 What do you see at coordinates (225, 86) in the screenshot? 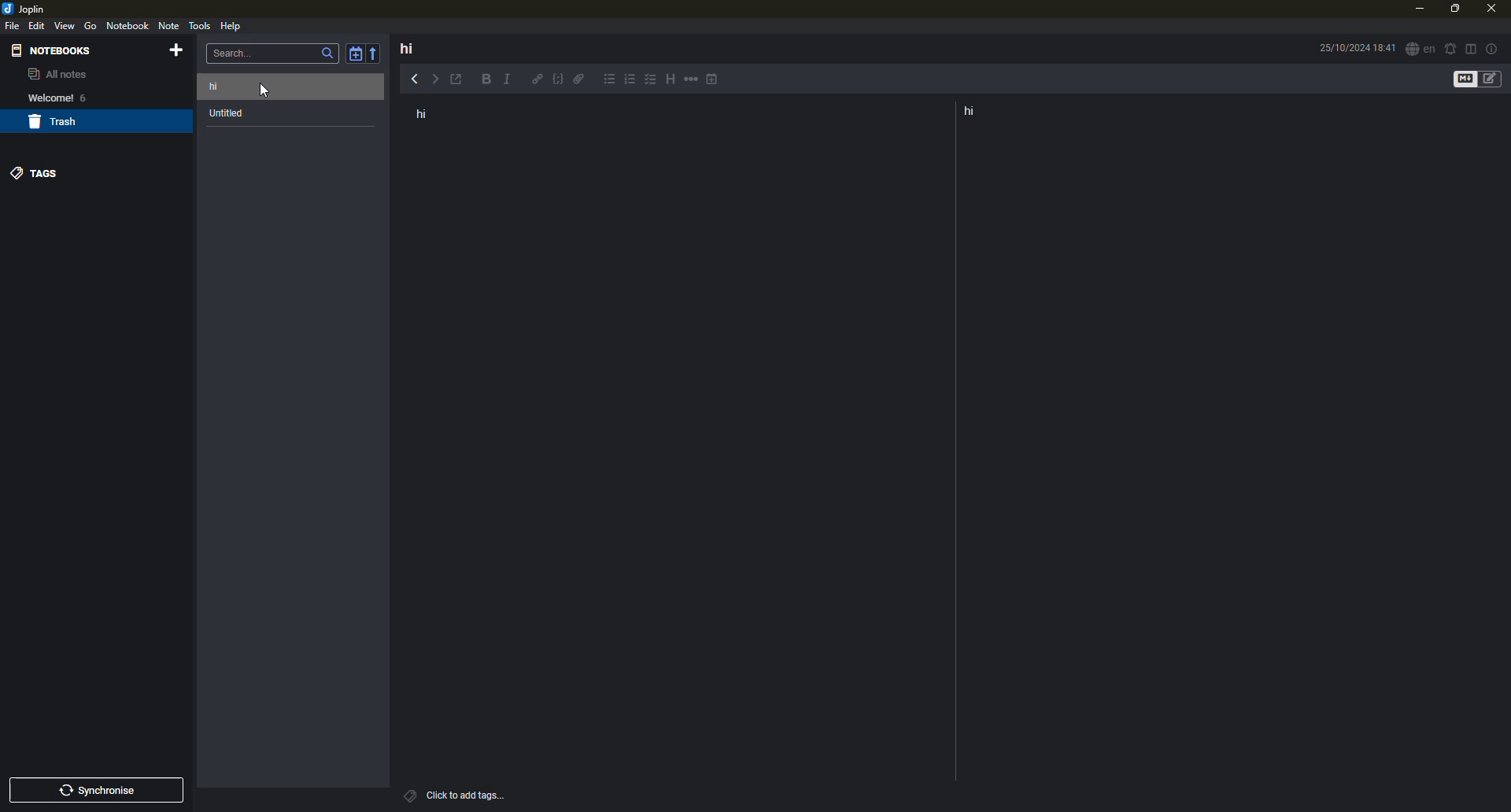
I see `hi` at bounding box center [225, 86].